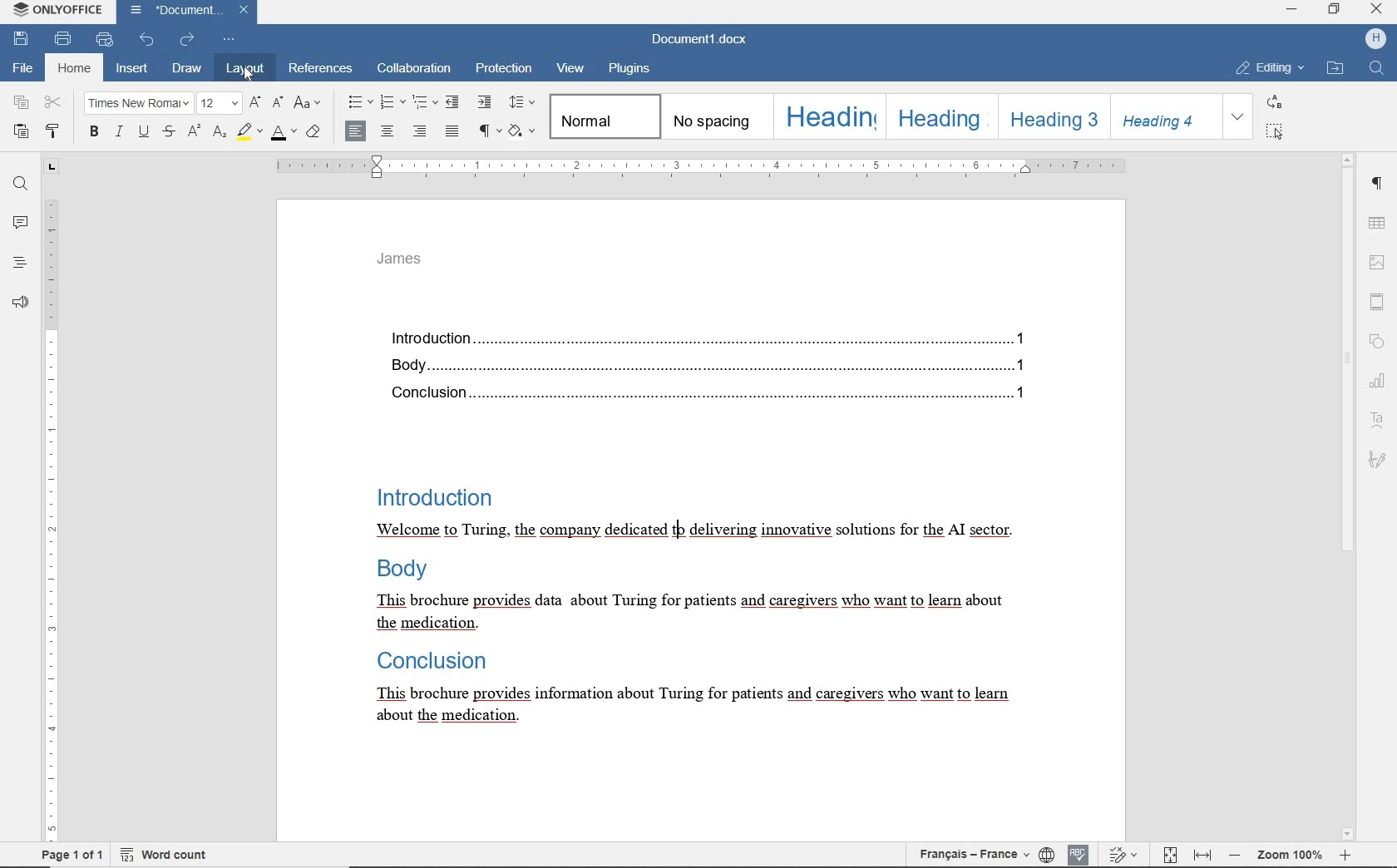 The height and width of the screenshot is (868, 1397). Describe the element at coordinates (217, 103) in the screenshot. I see `font size` at that location.